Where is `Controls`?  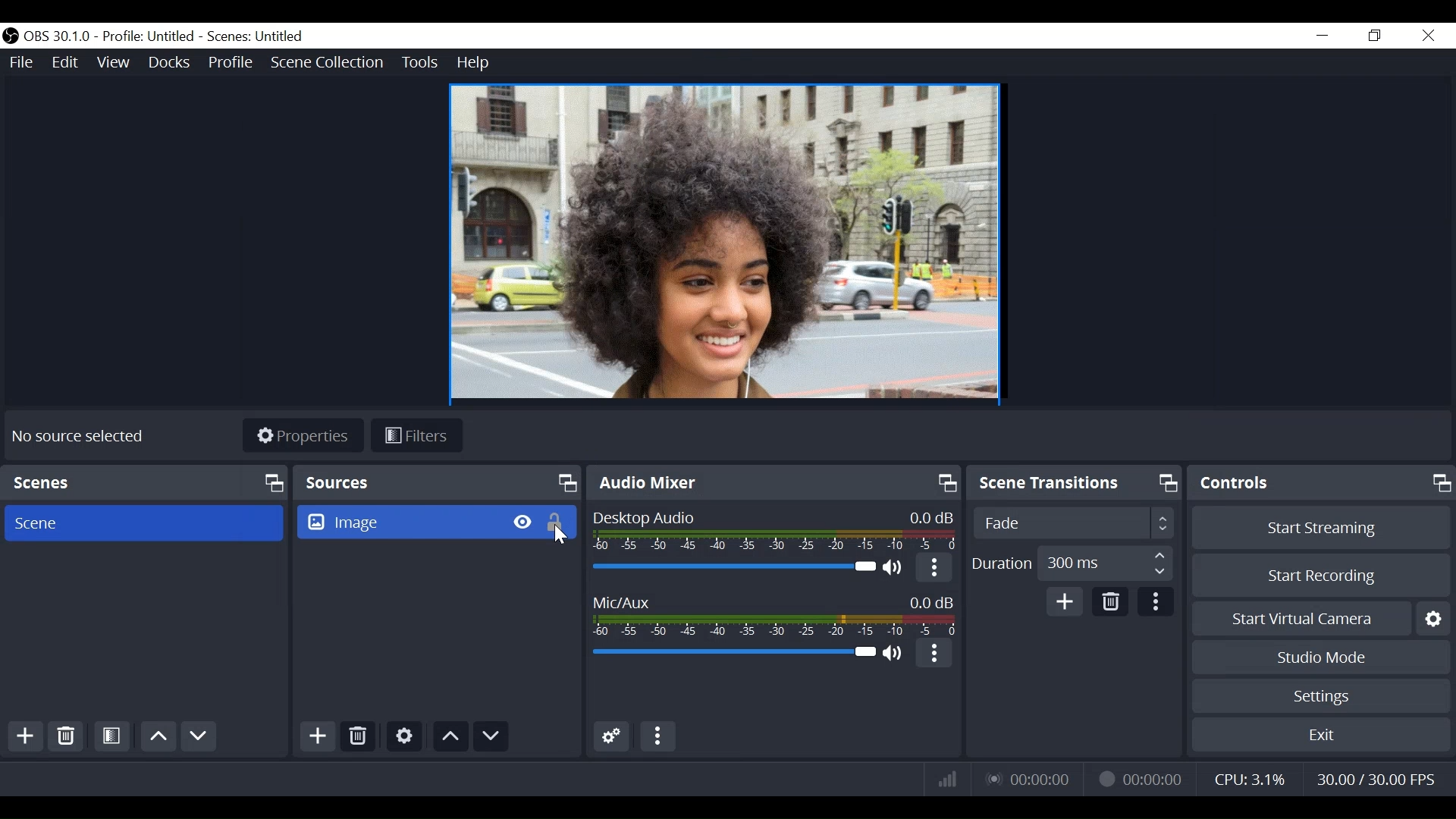 Controls is located at coordinates (1320, 485).